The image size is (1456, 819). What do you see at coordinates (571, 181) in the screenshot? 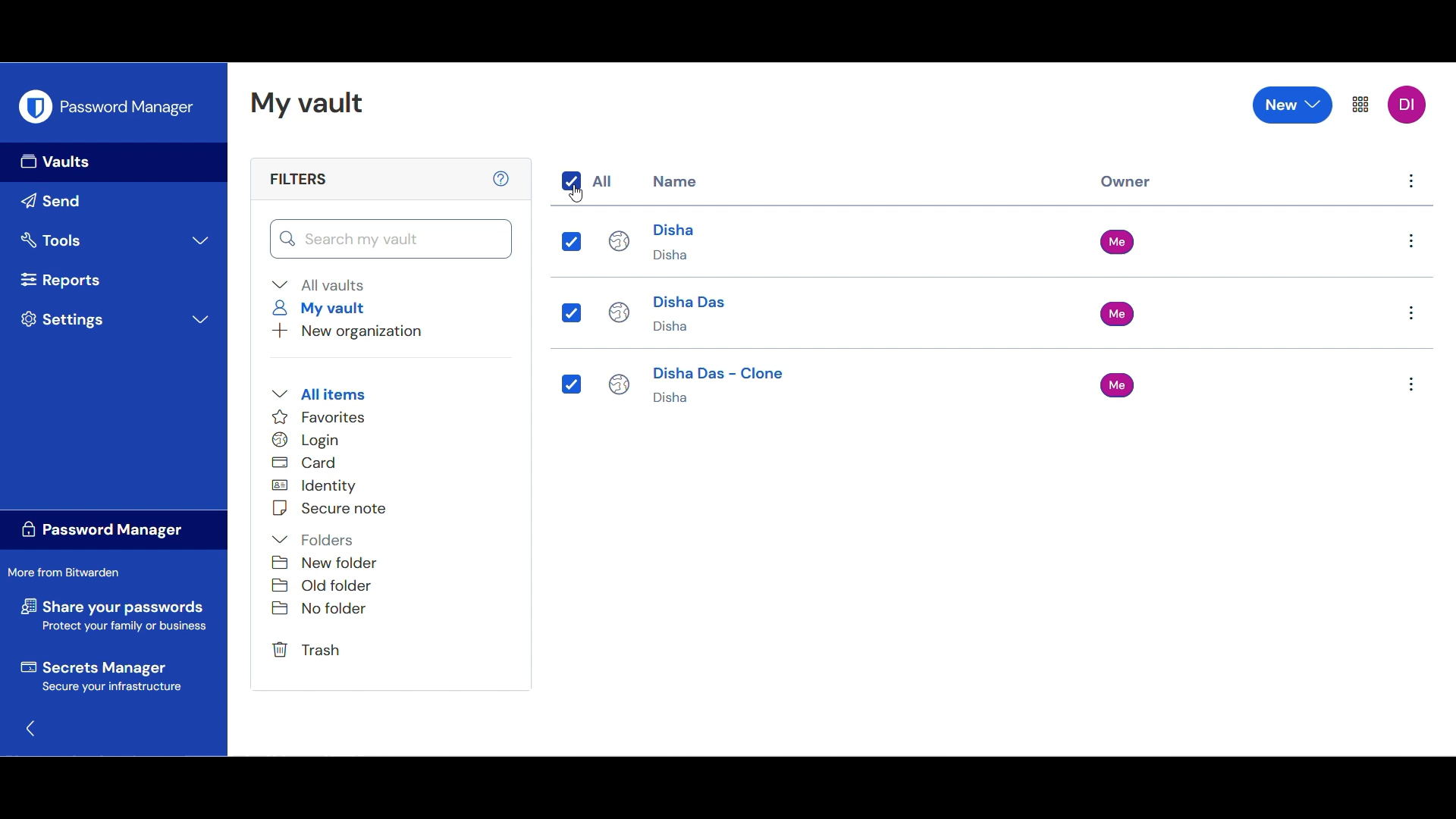
I see `Indicates toggle on/off` at bounding box center [571, 181].